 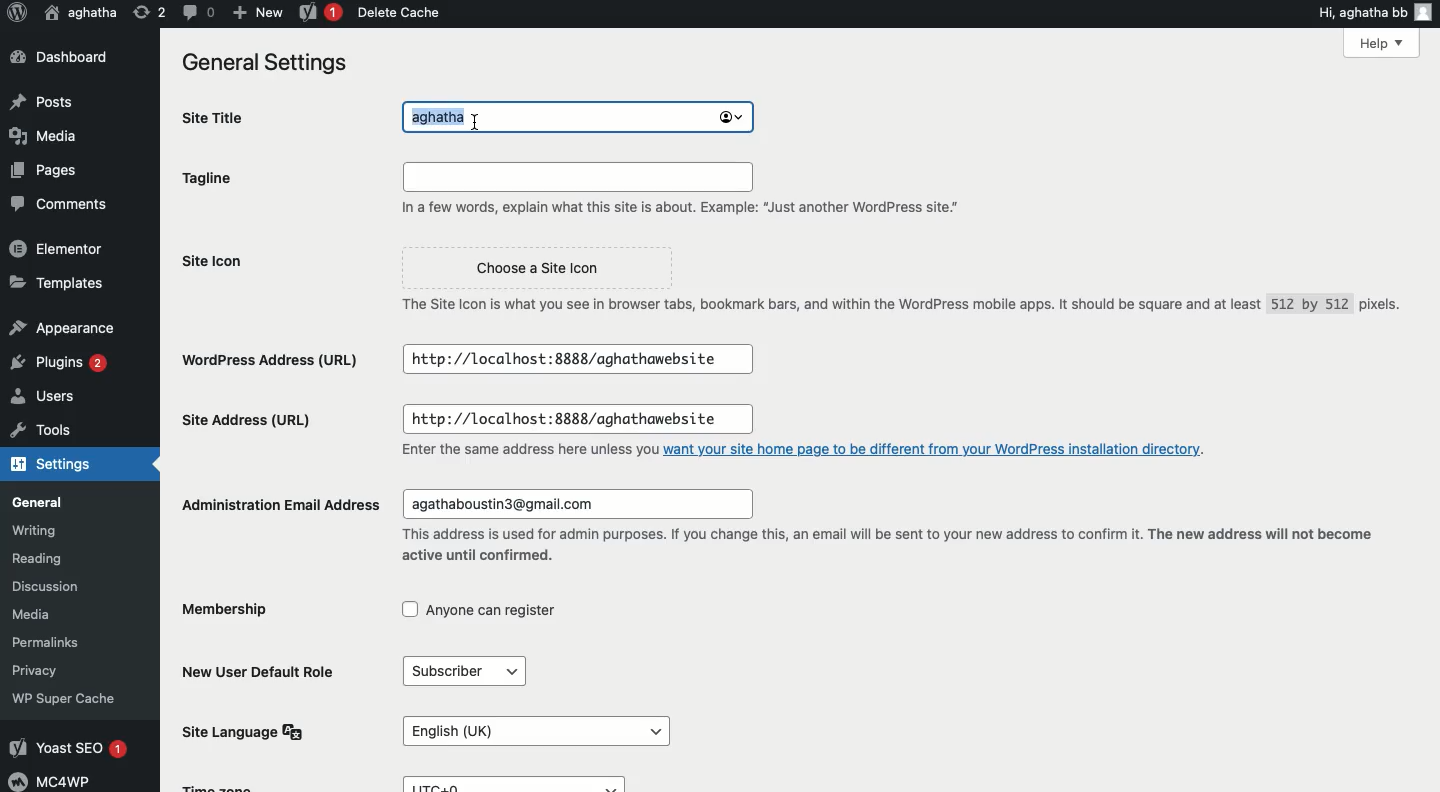 What do you see at coordinates (78, 14) in the screenshot?
I see `aghatha` at bounding box center [78, 14].